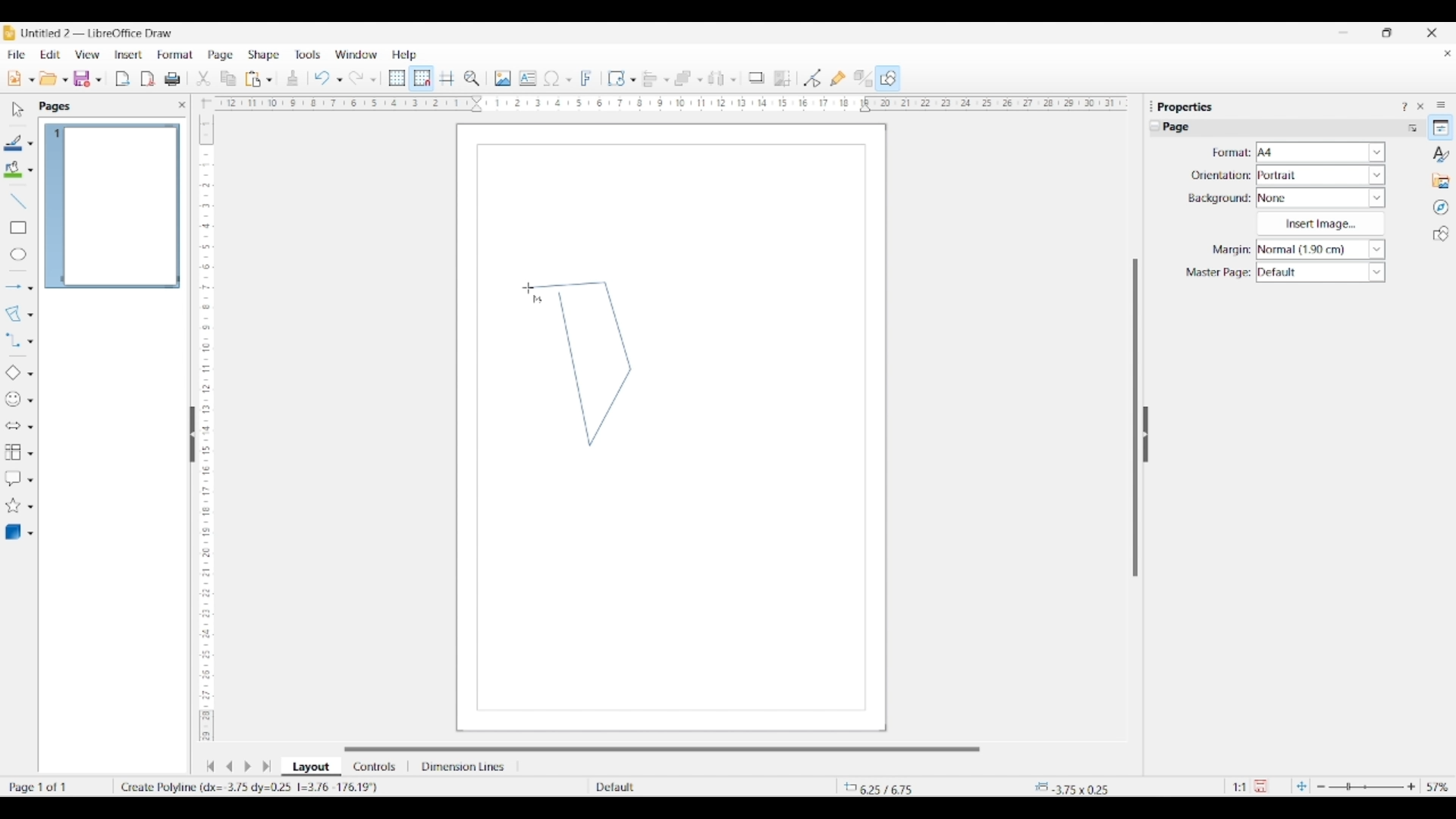  I want to click on Undo last action done, so click(322, 77).